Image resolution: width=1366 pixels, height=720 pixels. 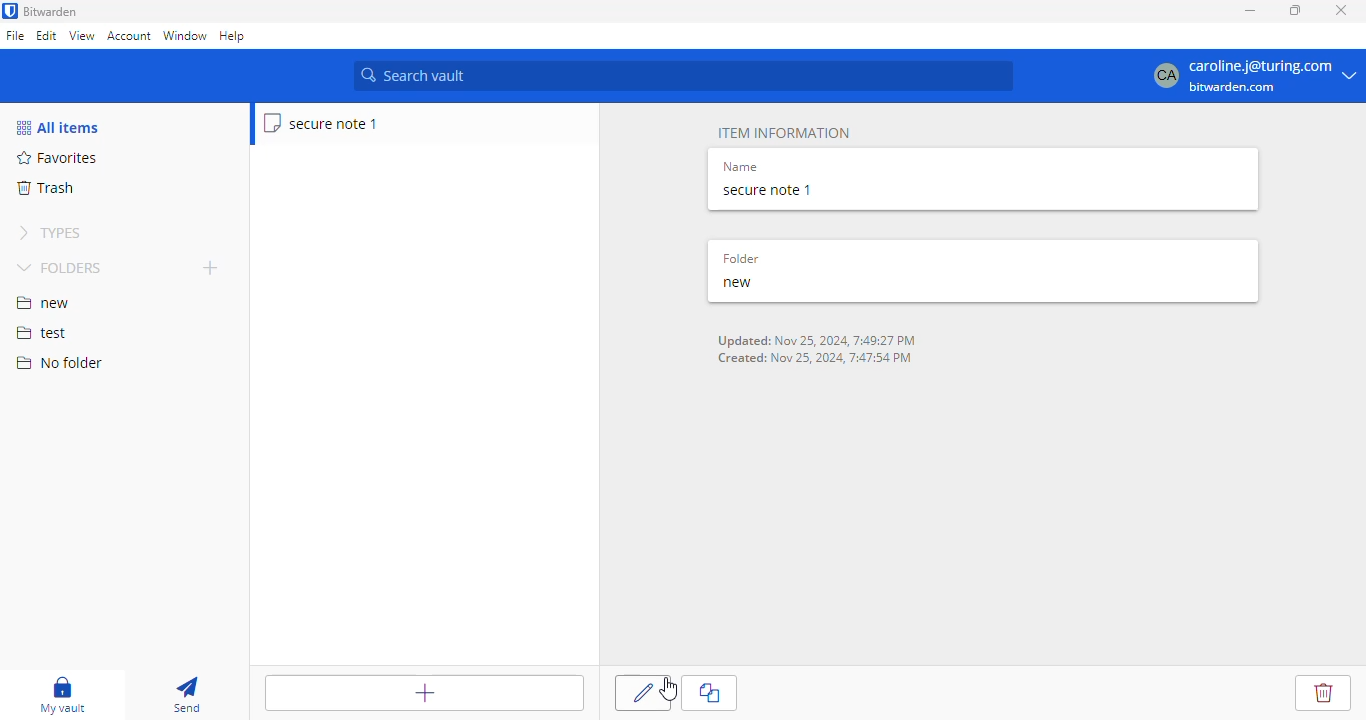 I want to click on new, so click(x=43, y=303).